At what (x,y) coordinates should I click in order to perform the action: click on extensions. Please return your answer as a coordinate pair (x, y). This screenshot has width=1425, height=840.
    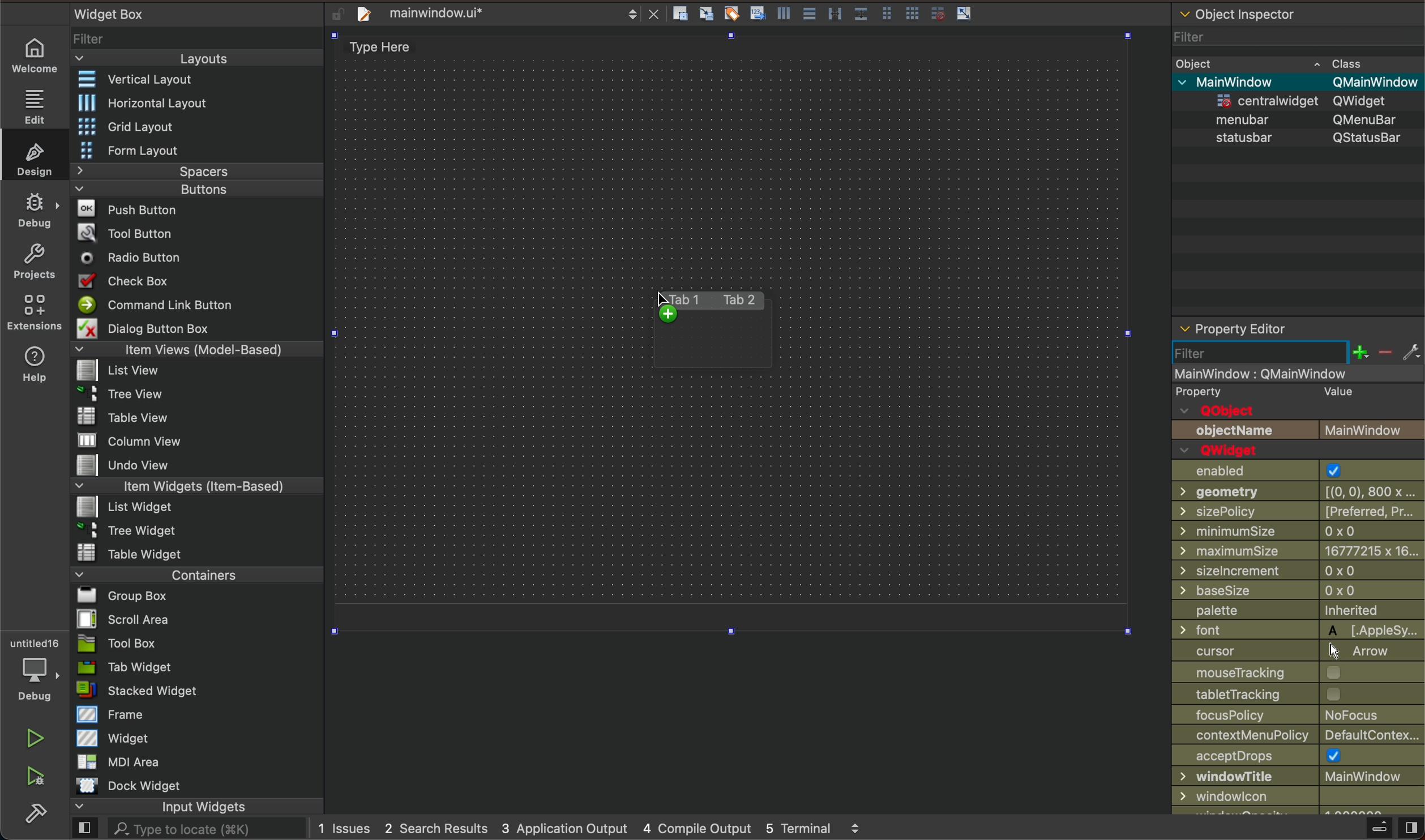
    Looking at the image, I should click on (37, 310).